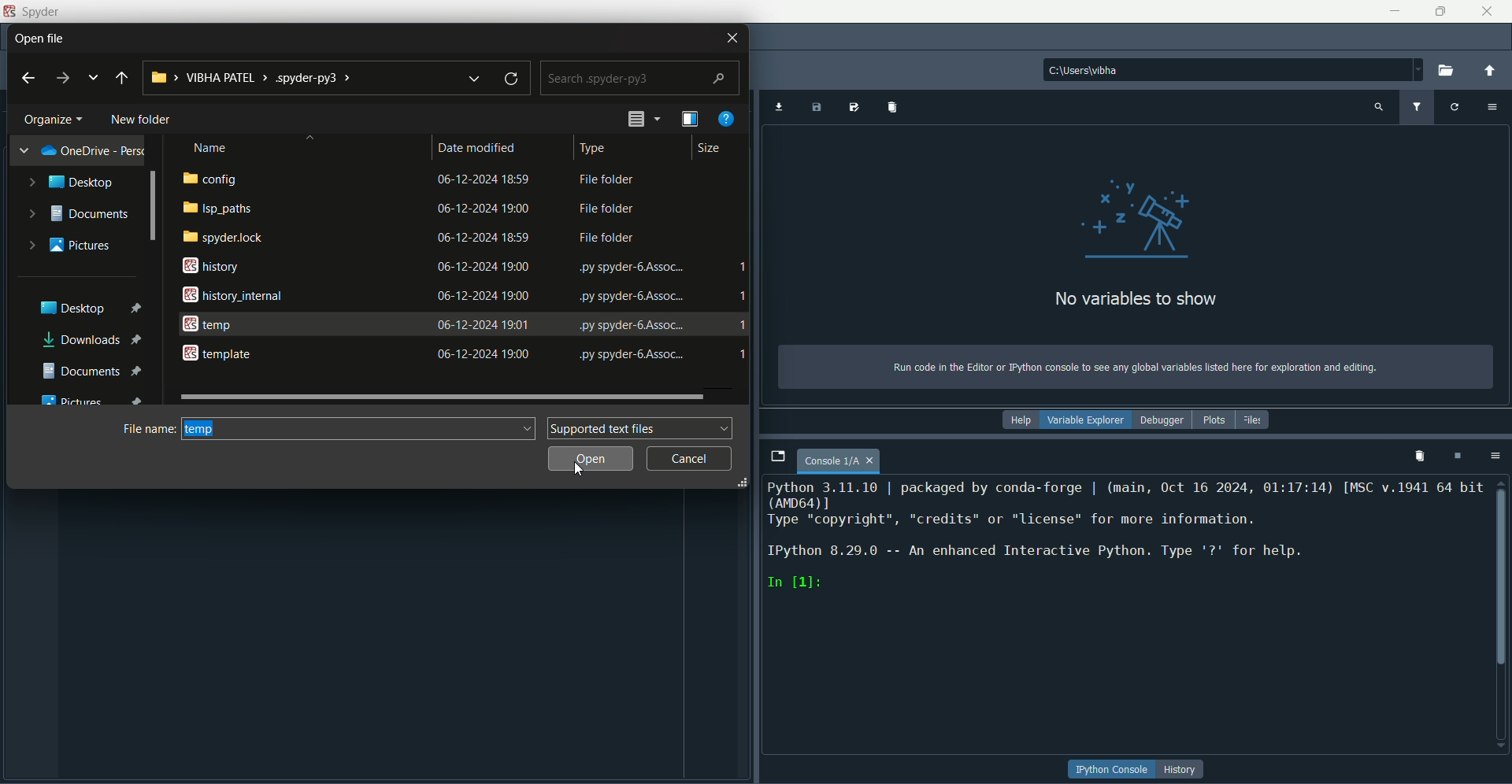  Describe the element at coordinates (578, 469) in the screenshot. I see `Cursor` at that location.